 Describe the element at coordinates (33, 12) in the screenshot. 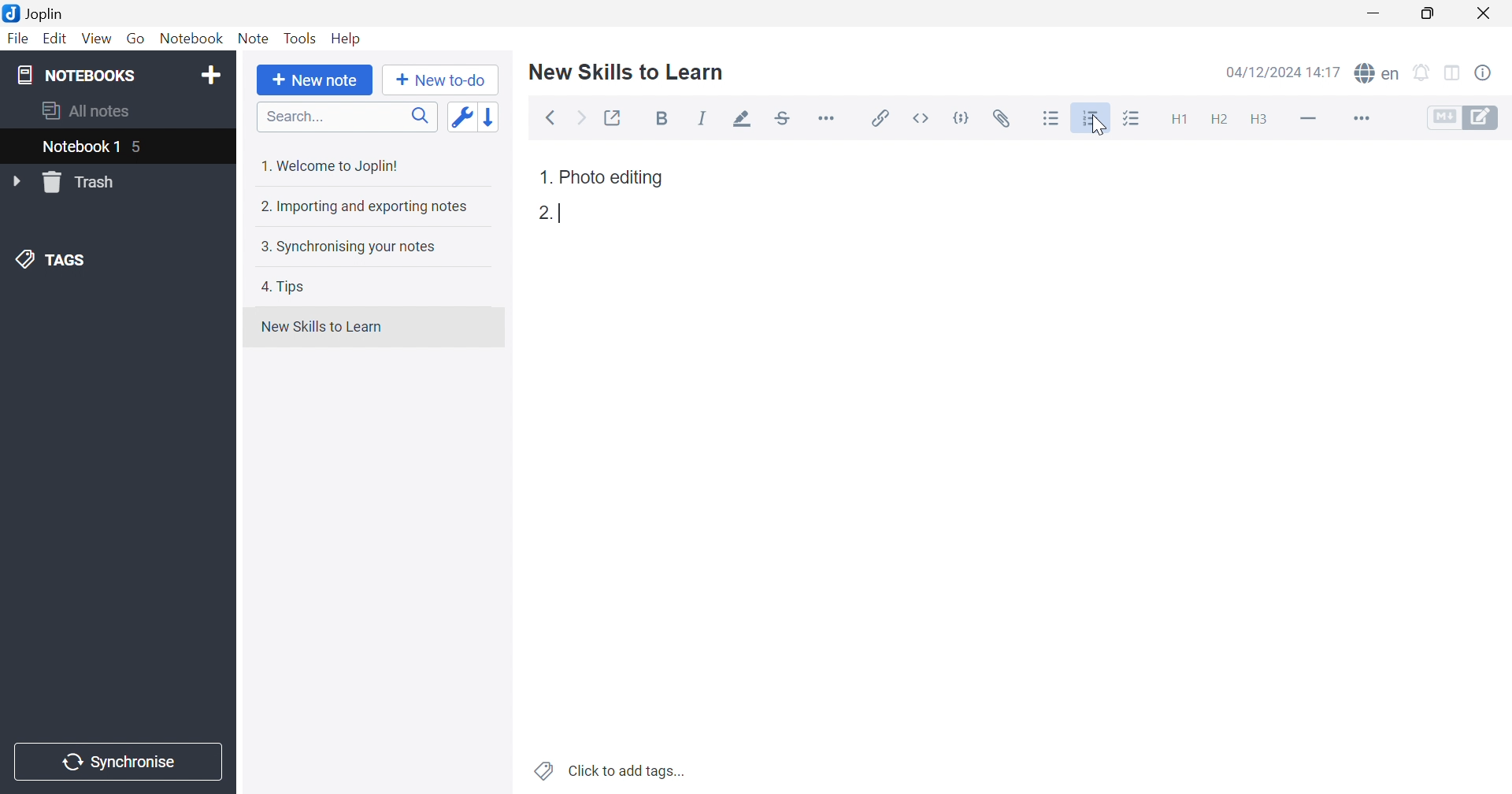

I see `Joplin` at that location.